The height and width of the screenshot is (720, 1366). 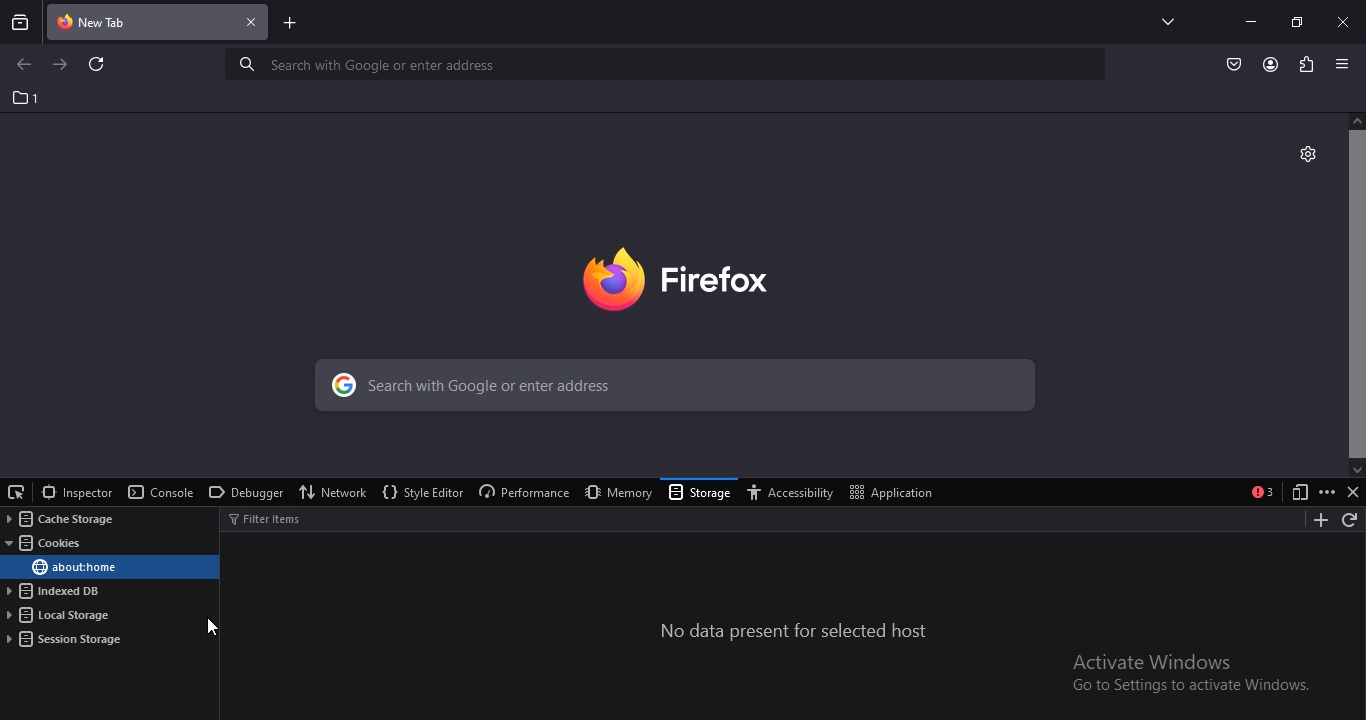 What do you see at coordinates (76, 492) in the screenshot?
I see `inspector` at bounding box center [76, 492].